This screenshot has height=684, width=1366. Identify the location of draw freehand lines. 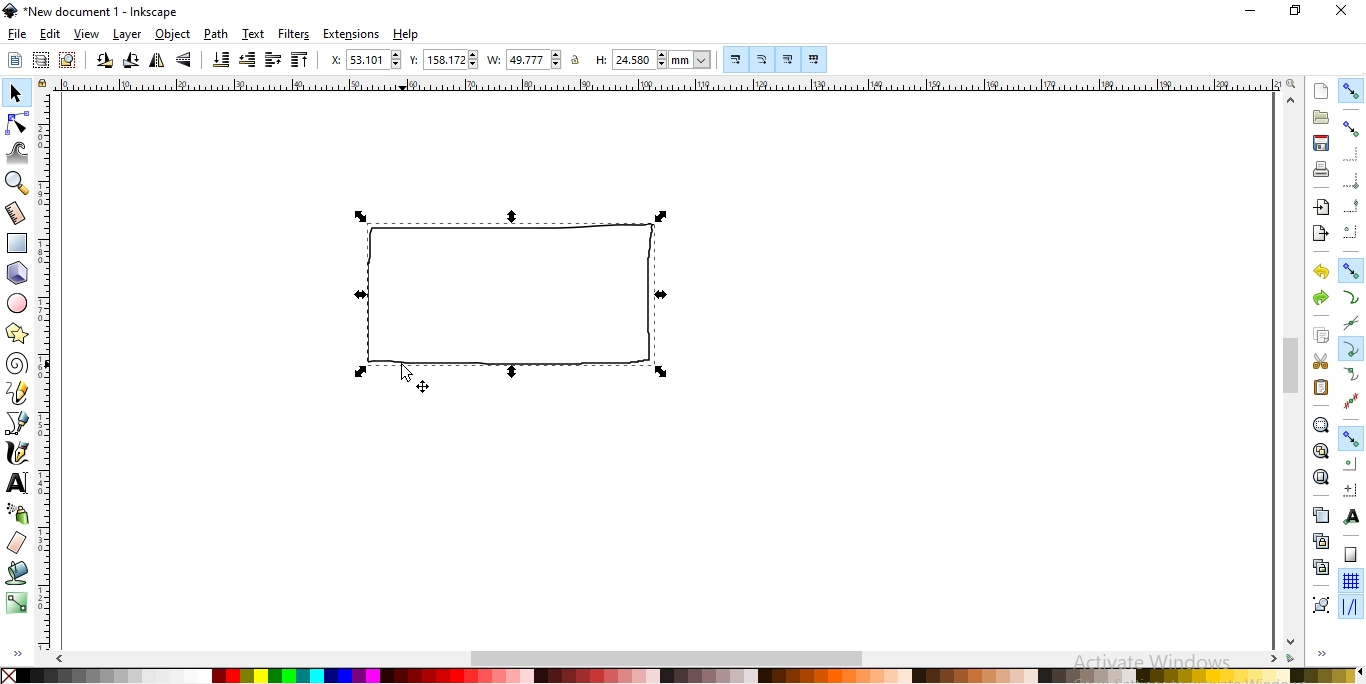
(20, 393).